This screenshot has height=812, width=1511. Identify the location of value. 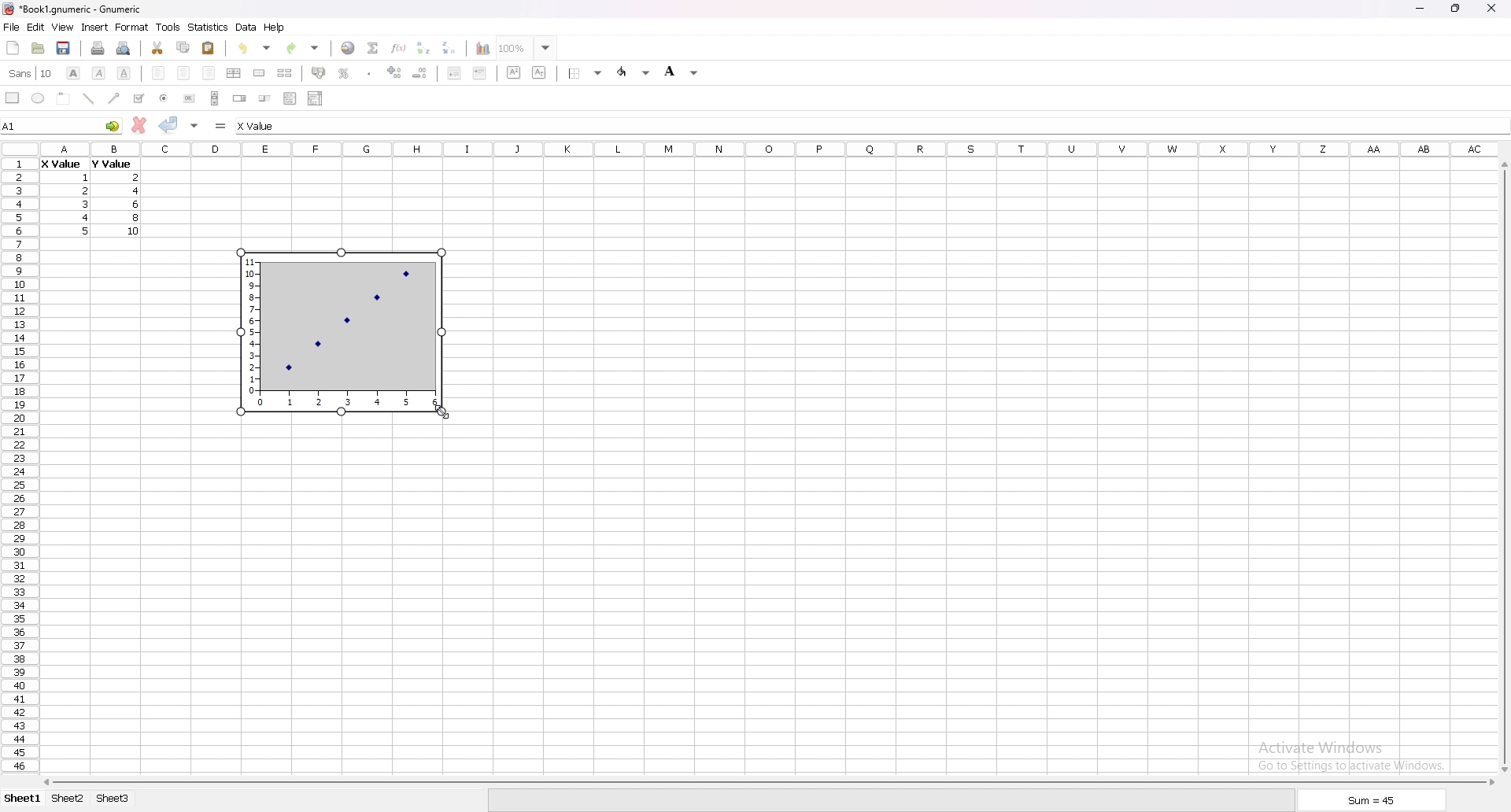
(85, 203).